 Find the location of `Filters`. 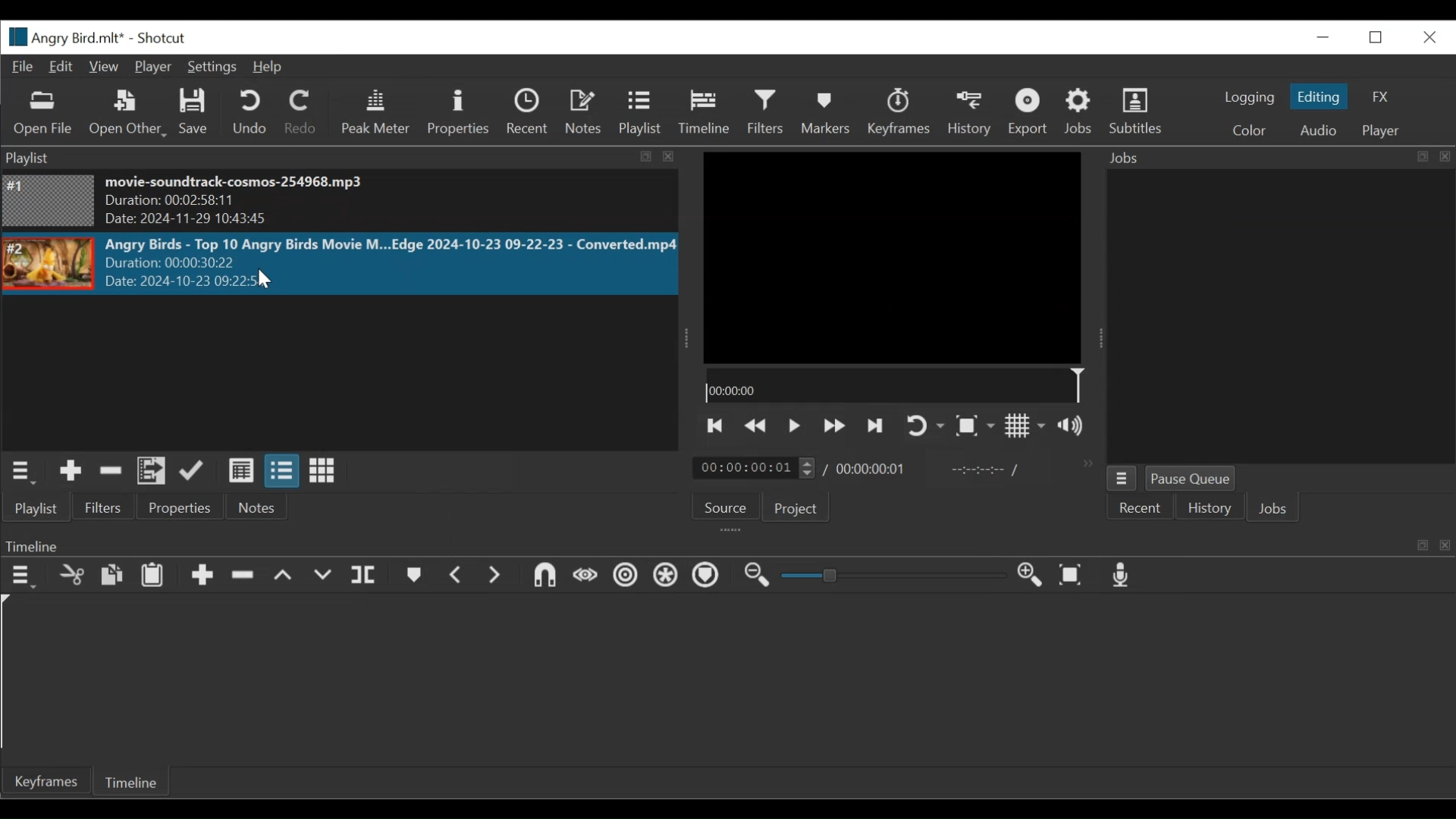

Filters is located at coordinates (767, 114).